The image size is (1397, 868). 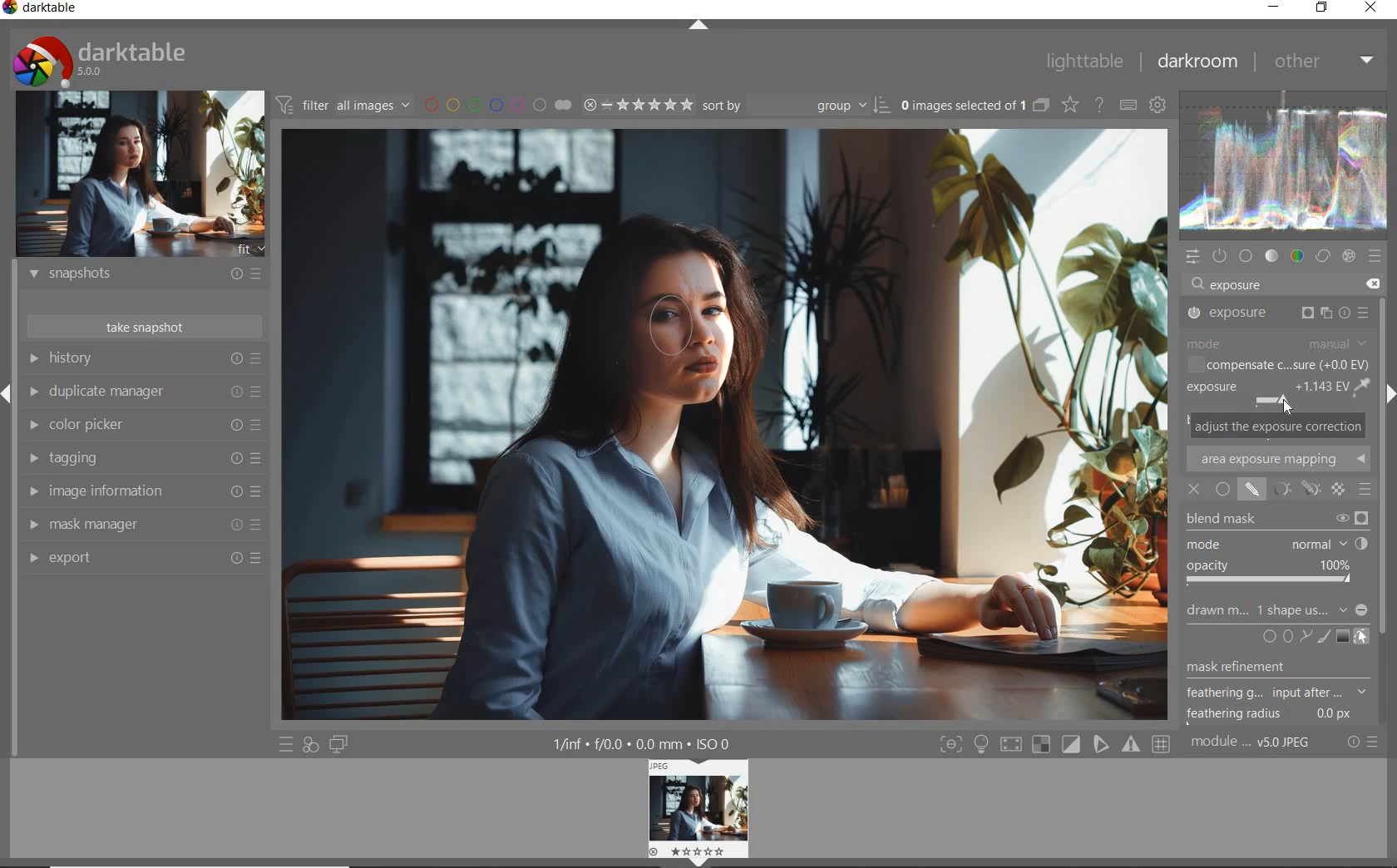 What do you see at coordinates (141, 176) in the screenshot?
I see `image preview` at bounding box center [141, 176].